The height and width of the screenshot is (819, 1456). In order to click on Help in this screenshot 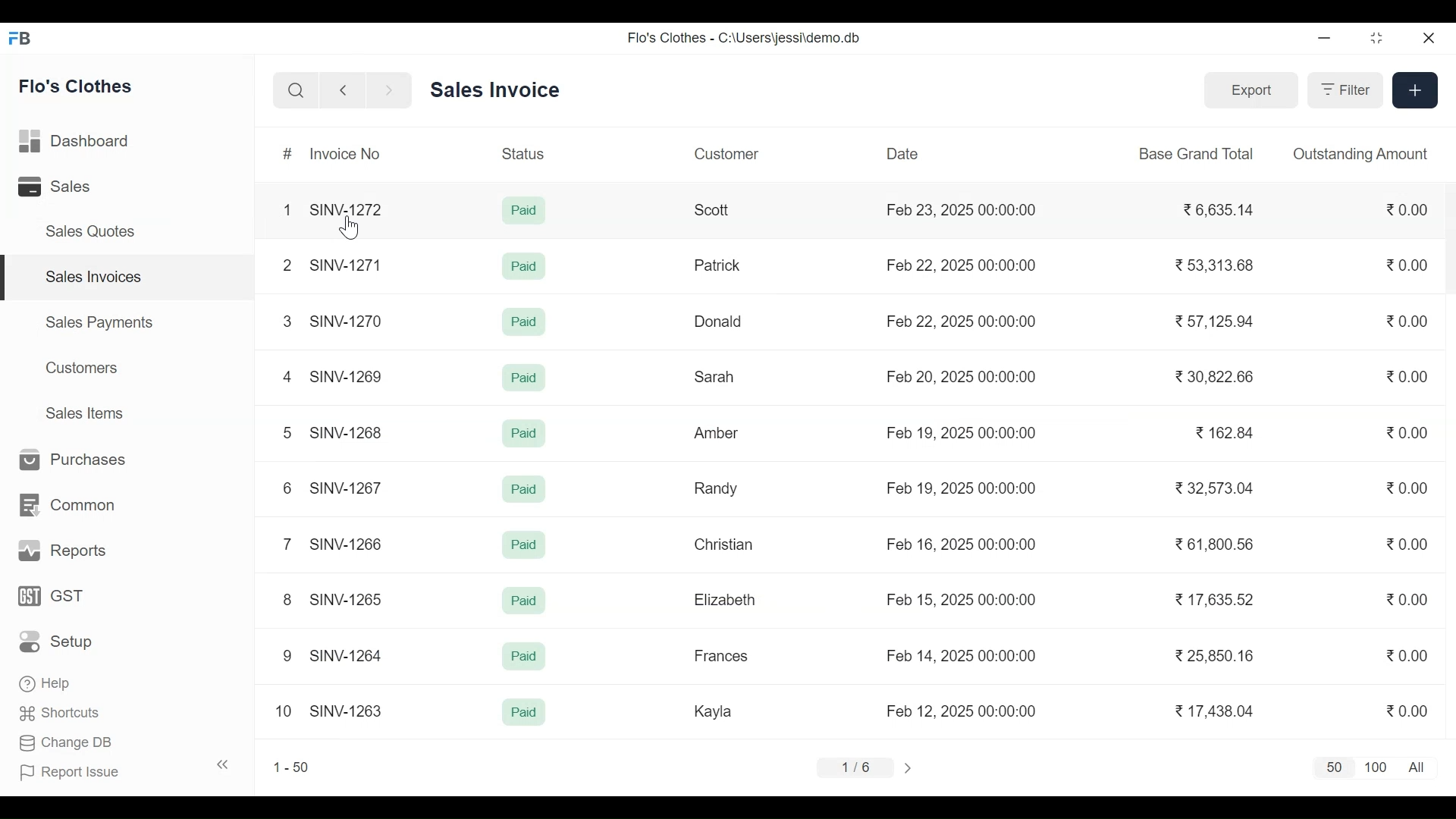, I will do `click(46, 686)`.